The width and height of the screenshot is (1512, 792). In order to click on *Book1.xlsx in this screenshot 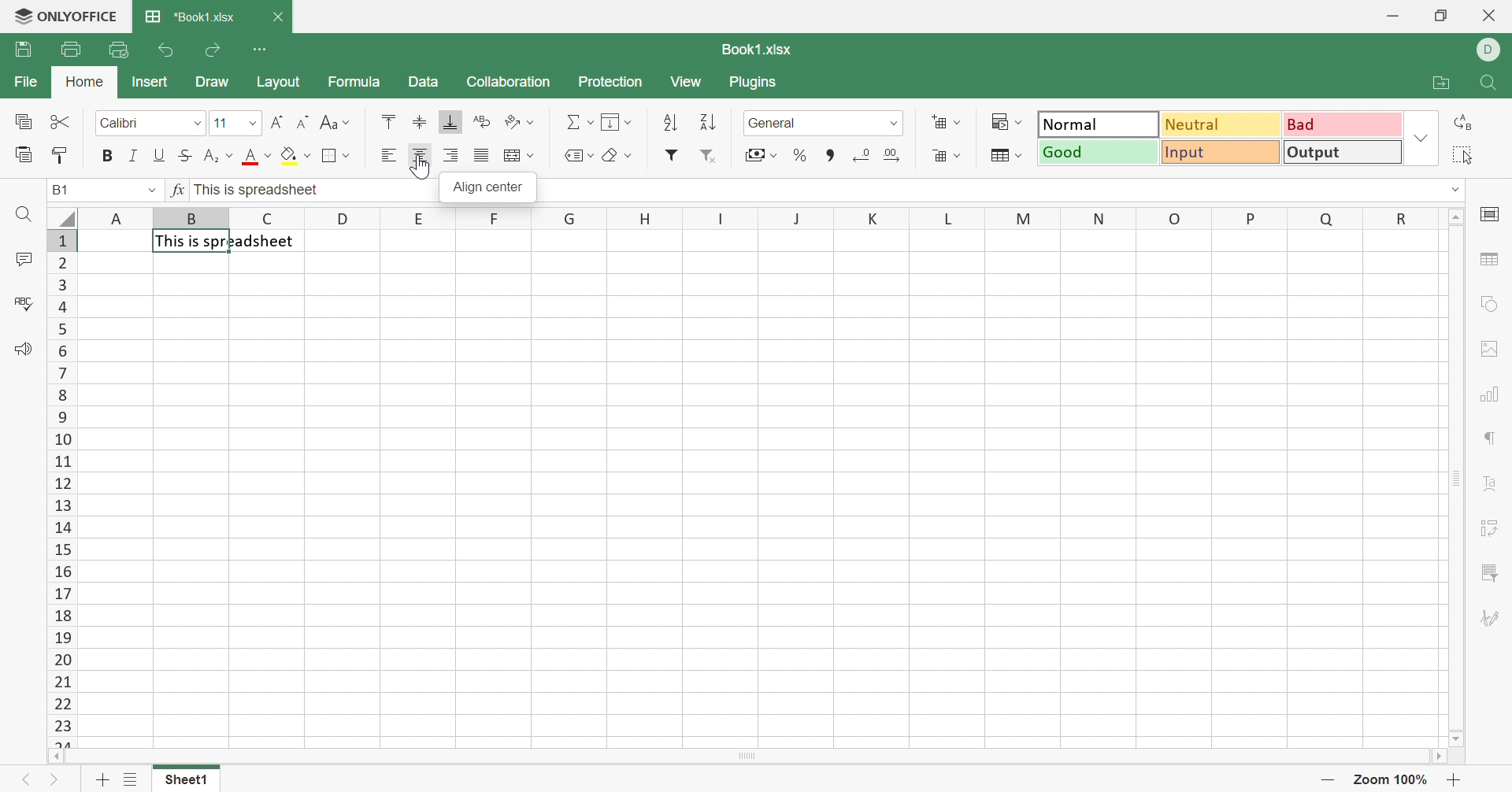, I will do `click(189, 17)`.